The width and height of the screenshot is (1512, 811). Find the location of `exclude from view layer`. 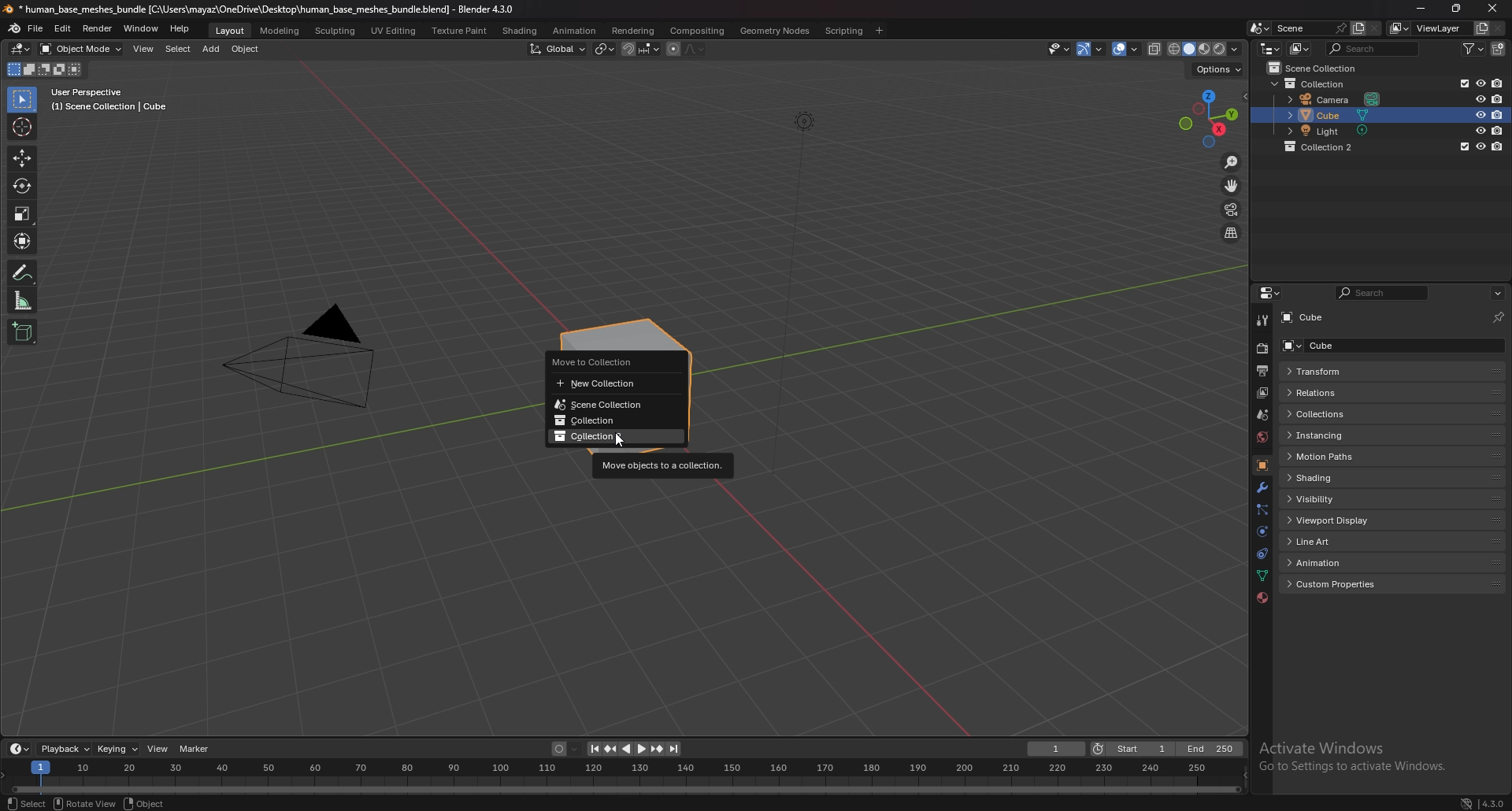

exclude from view layer is located at coordinates (1462, 146).